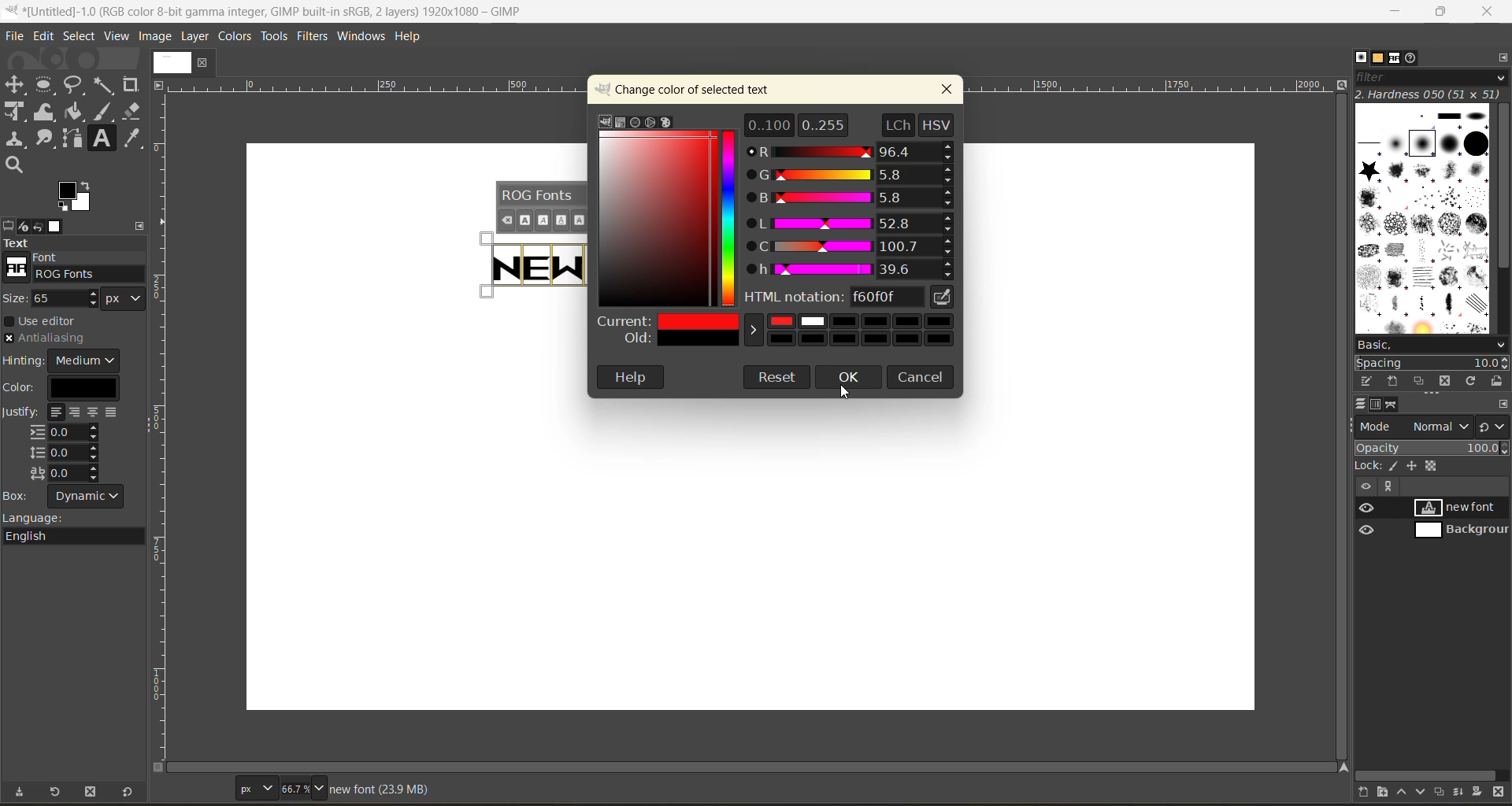 The image size is (1512, 806). Describe the element at coordinates (1459, 531) in the screenshot. I see `background` at that location.